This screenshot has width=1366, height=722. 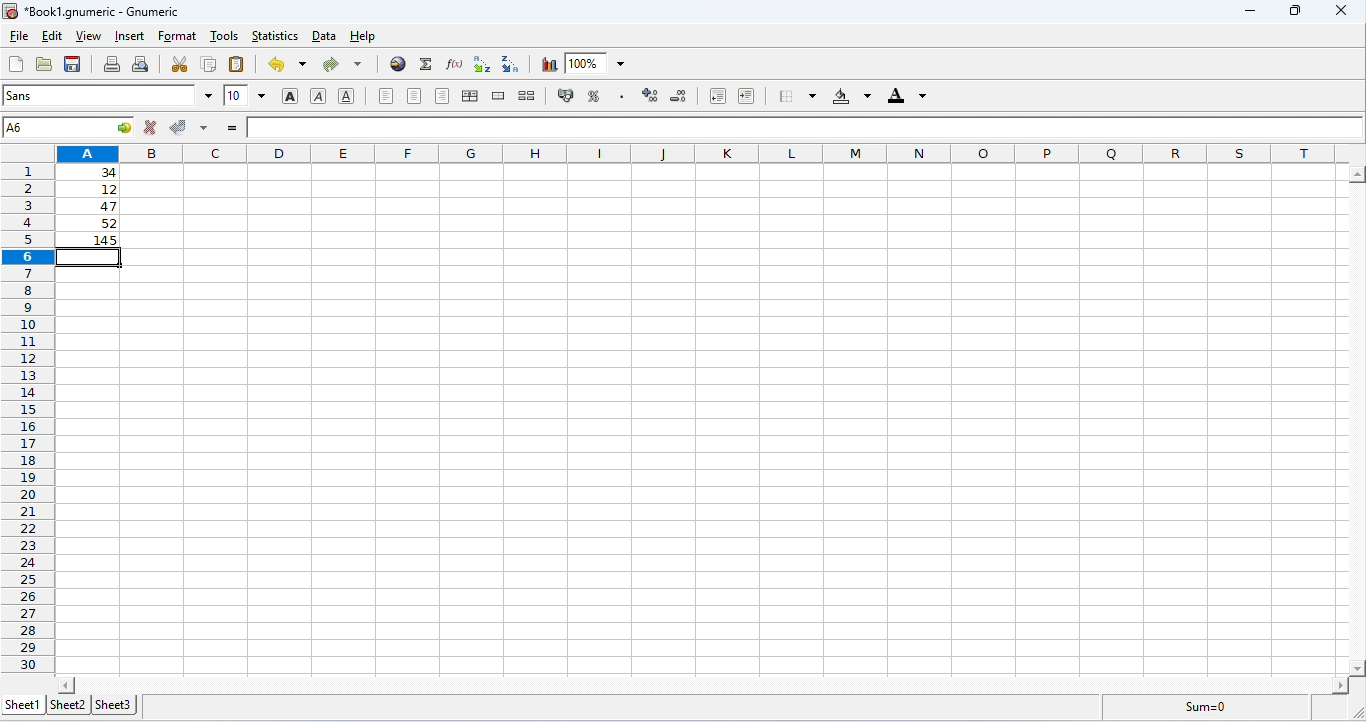 What do you see at coordinates (72, 127) in the screenshot?
I see `change in selected cell number` at bounding box center [72, 127].